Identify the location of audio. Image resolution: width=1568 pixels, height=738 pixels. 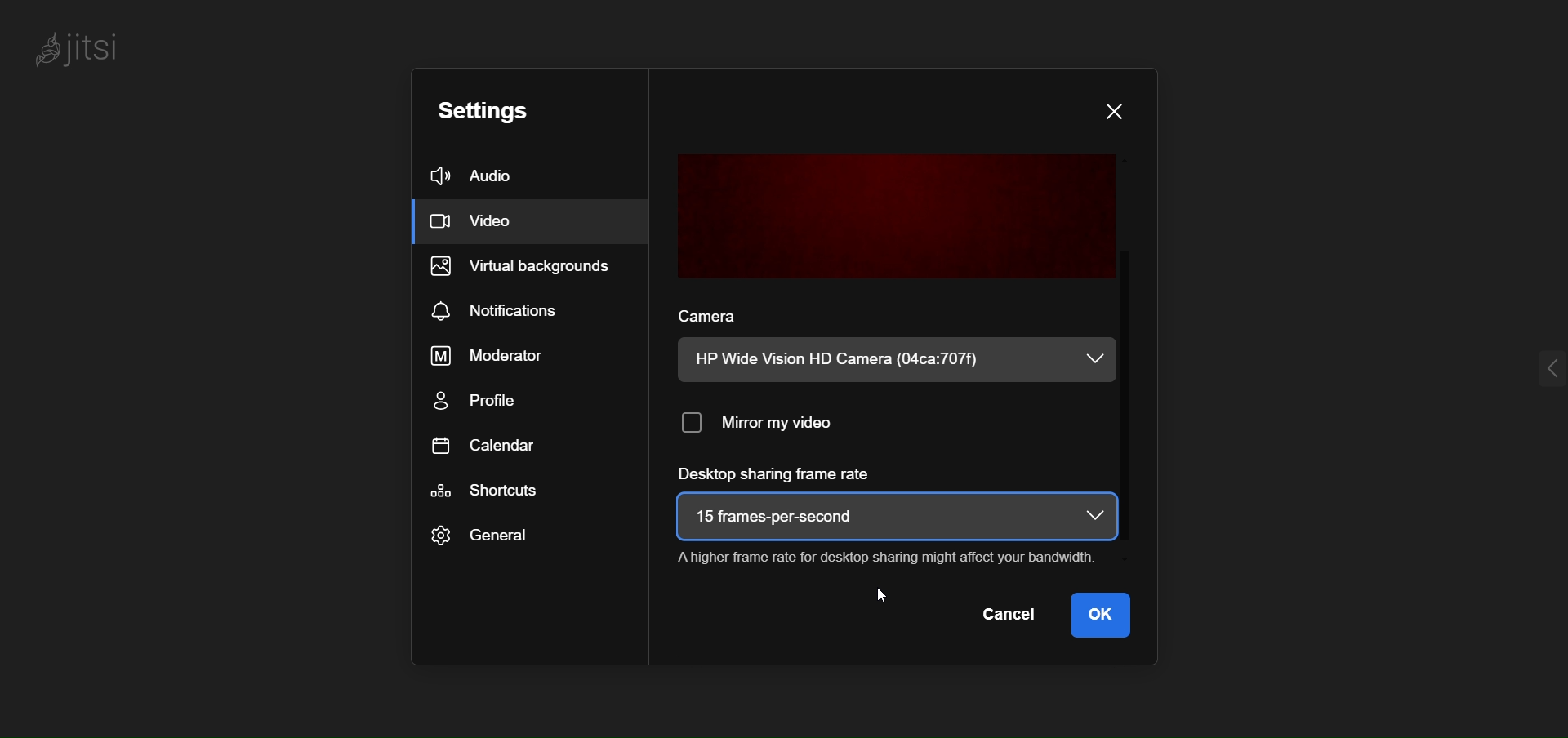
(501, 178).